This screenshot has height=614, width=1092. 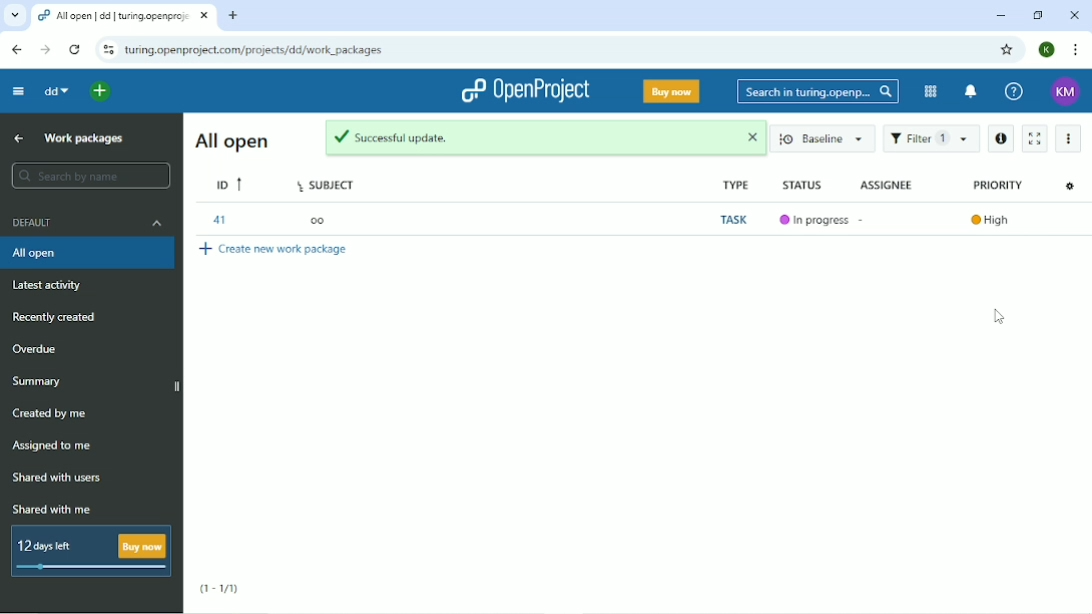 I want to click on Search, so click(x=815, y=90).